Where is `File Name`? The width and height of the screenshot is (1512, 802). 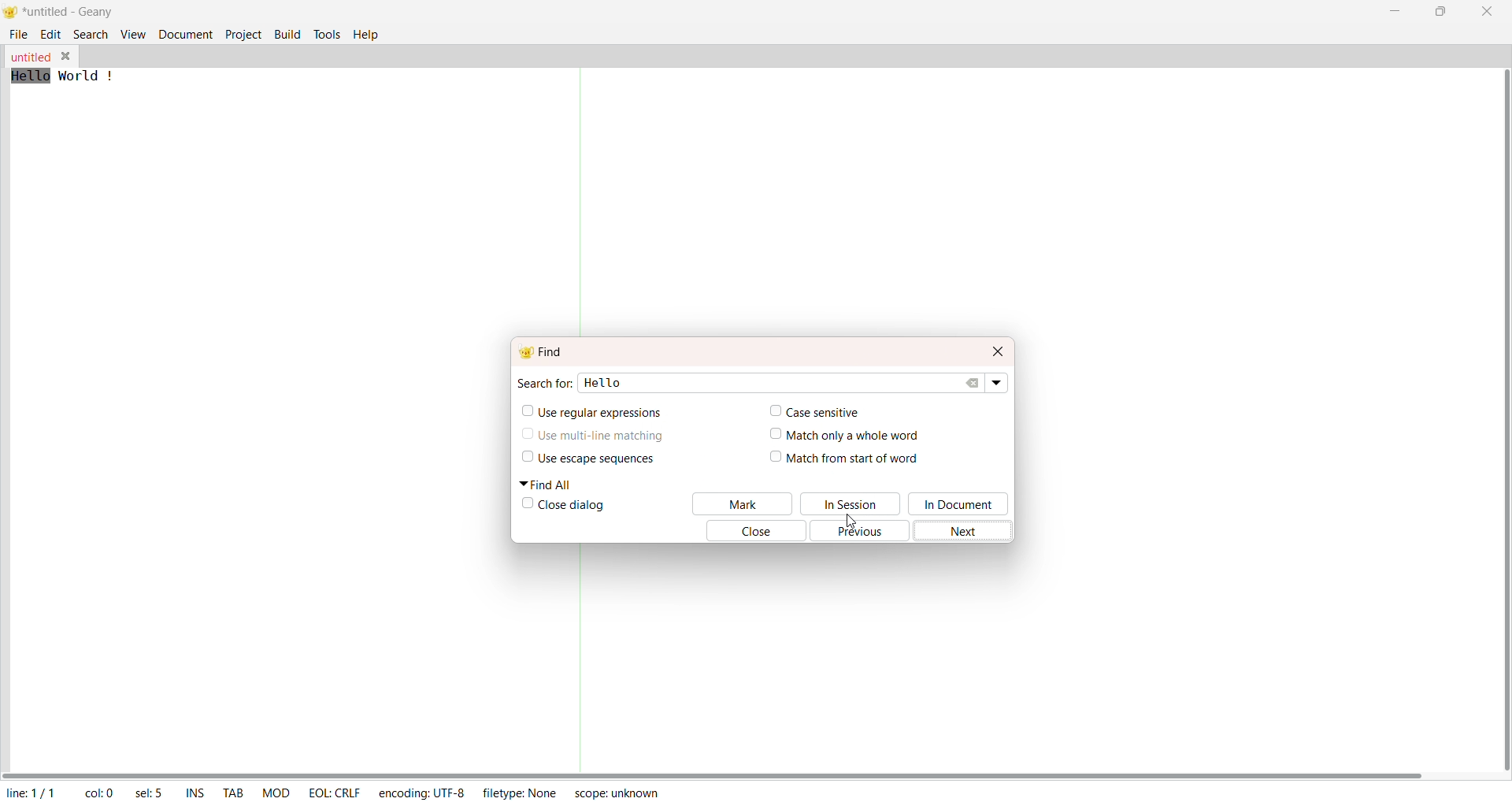
File Name is located at coordinates (29, 58).